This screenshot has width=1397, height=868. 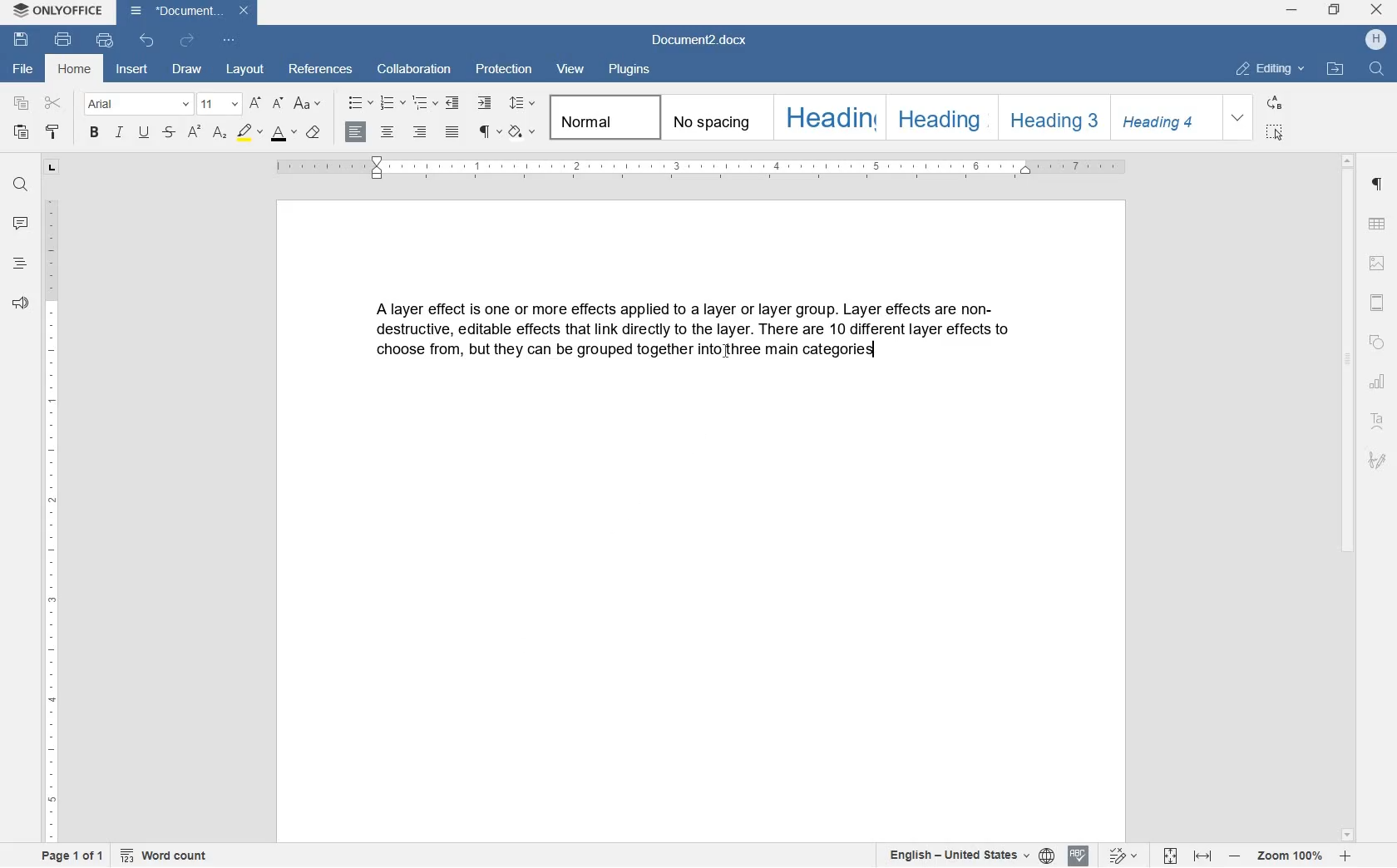 I want to click on print, so click(x=65, y=41).